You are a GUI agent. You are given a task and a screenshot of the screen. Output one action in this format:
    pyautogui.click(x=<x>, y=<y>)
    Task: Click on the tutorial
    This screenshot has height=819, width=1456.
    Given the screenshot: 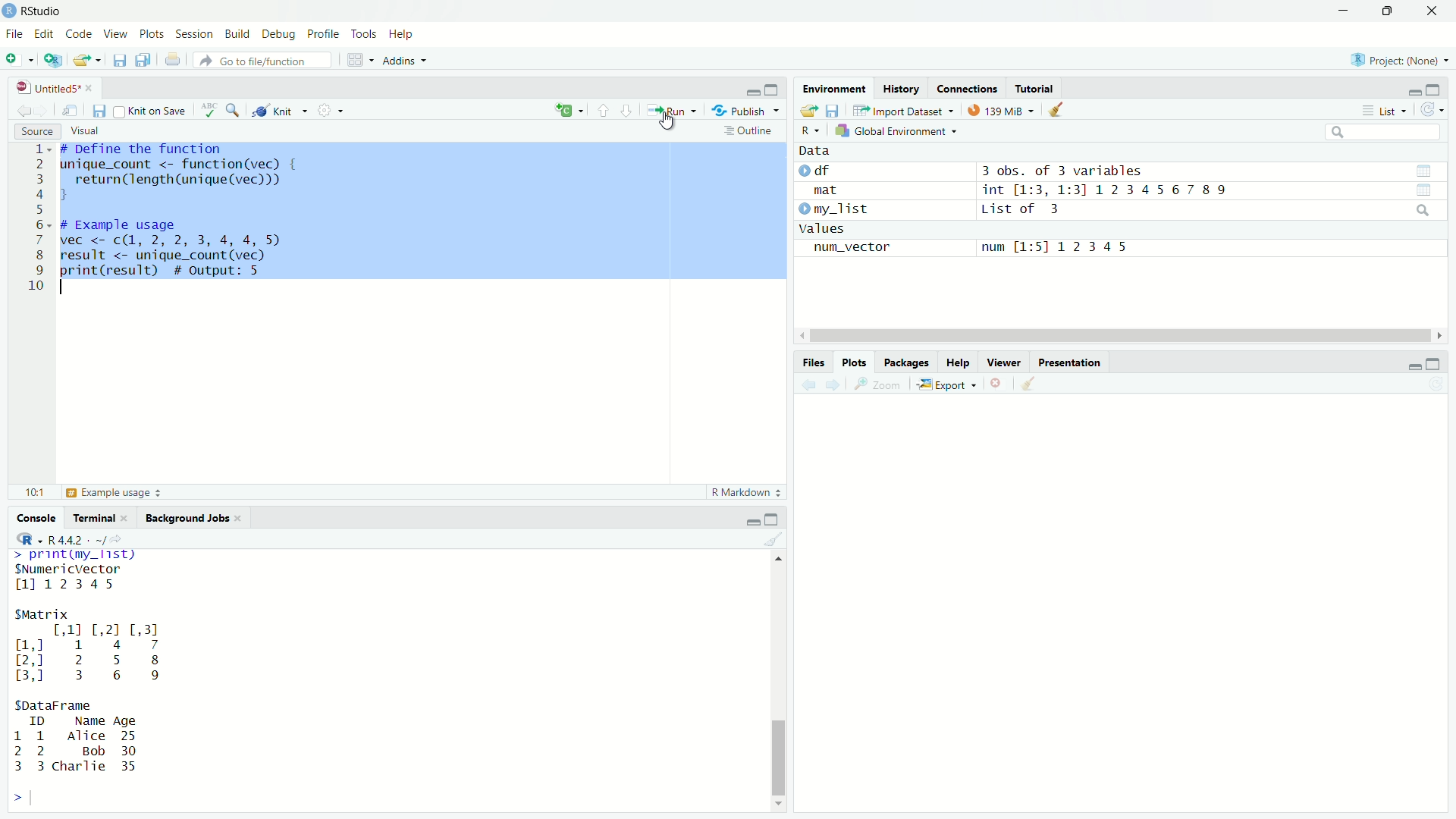 What is the action you would take?
    pyautogui.click(x=1037, y=90)
    